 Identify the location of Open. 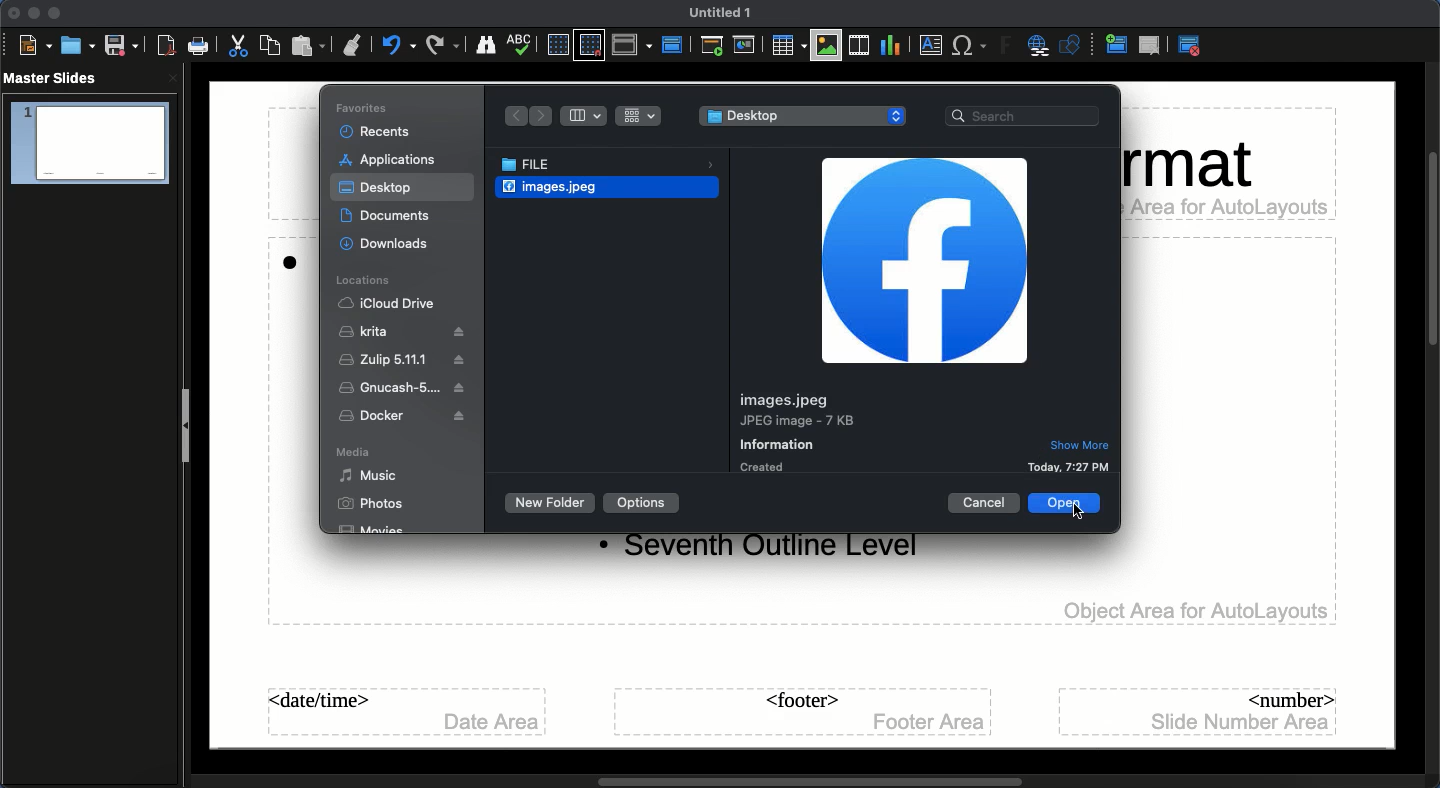
(1052, 506).